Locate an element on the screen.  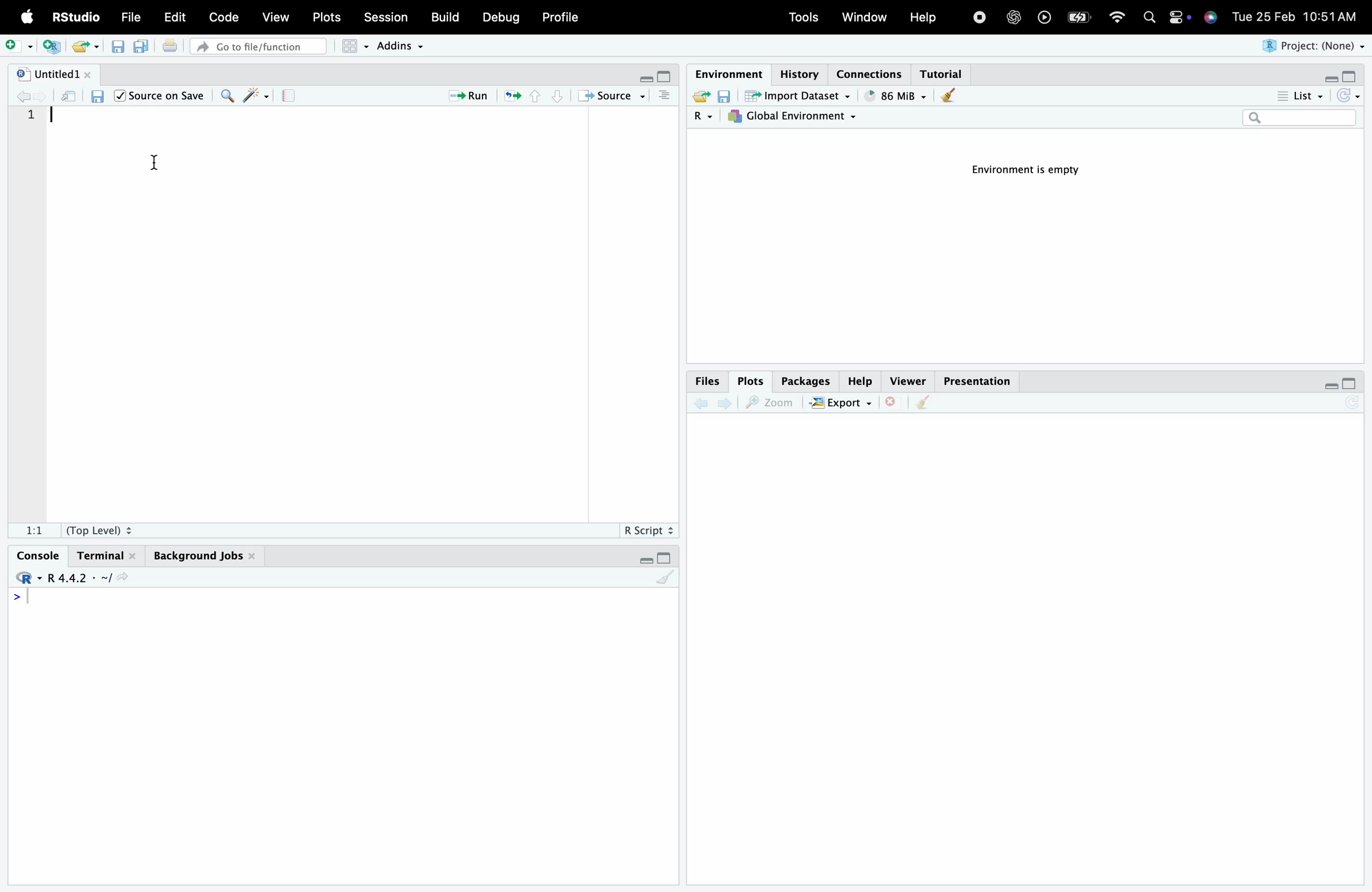
siri is located at coordinates (1212, 21).